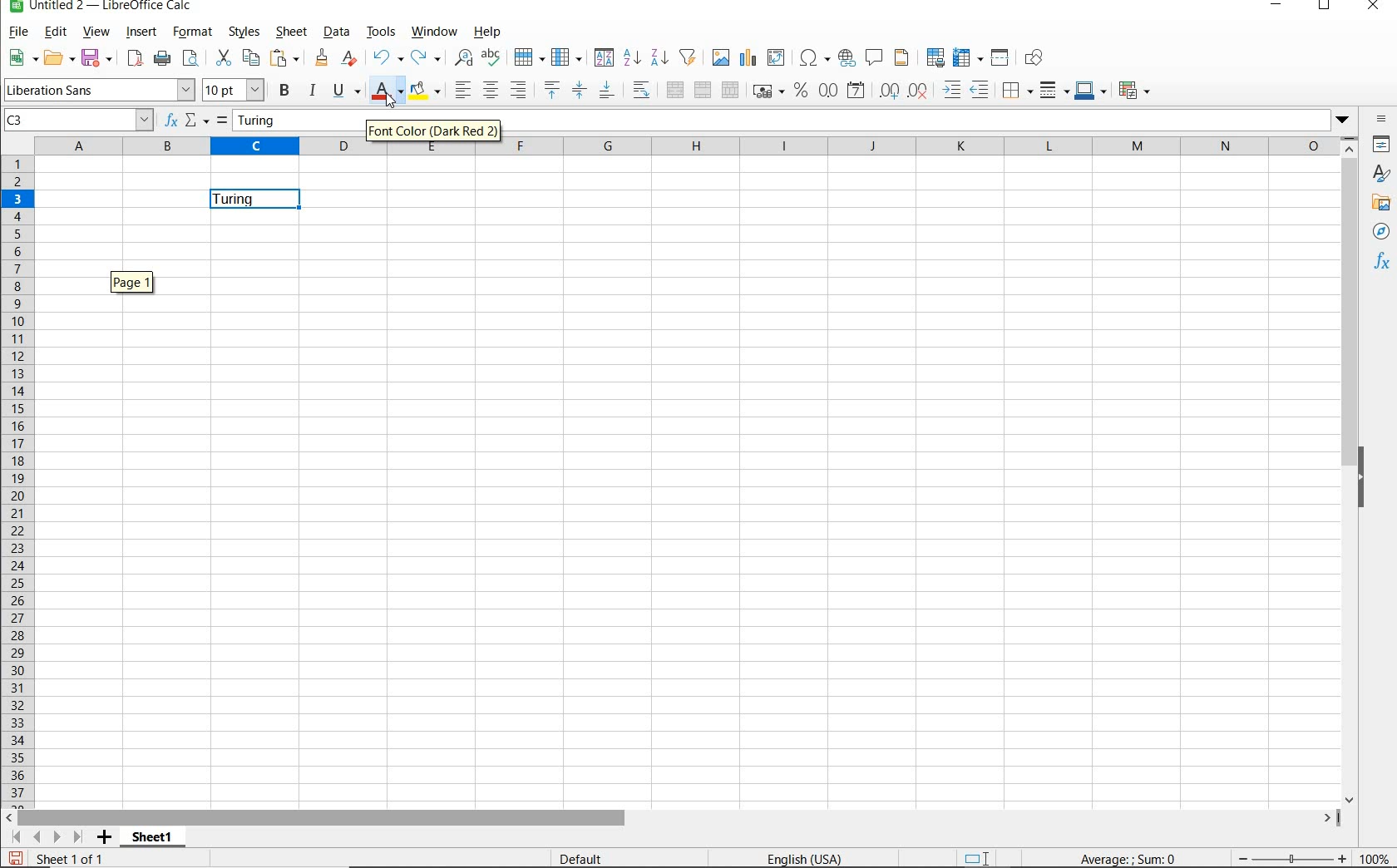 This screenshot has width=1397, height=868. What do you see at coordinates (1089, 91) in the screenshot?
I see `BORDER COLOR` at bounding box center [1089, 91].